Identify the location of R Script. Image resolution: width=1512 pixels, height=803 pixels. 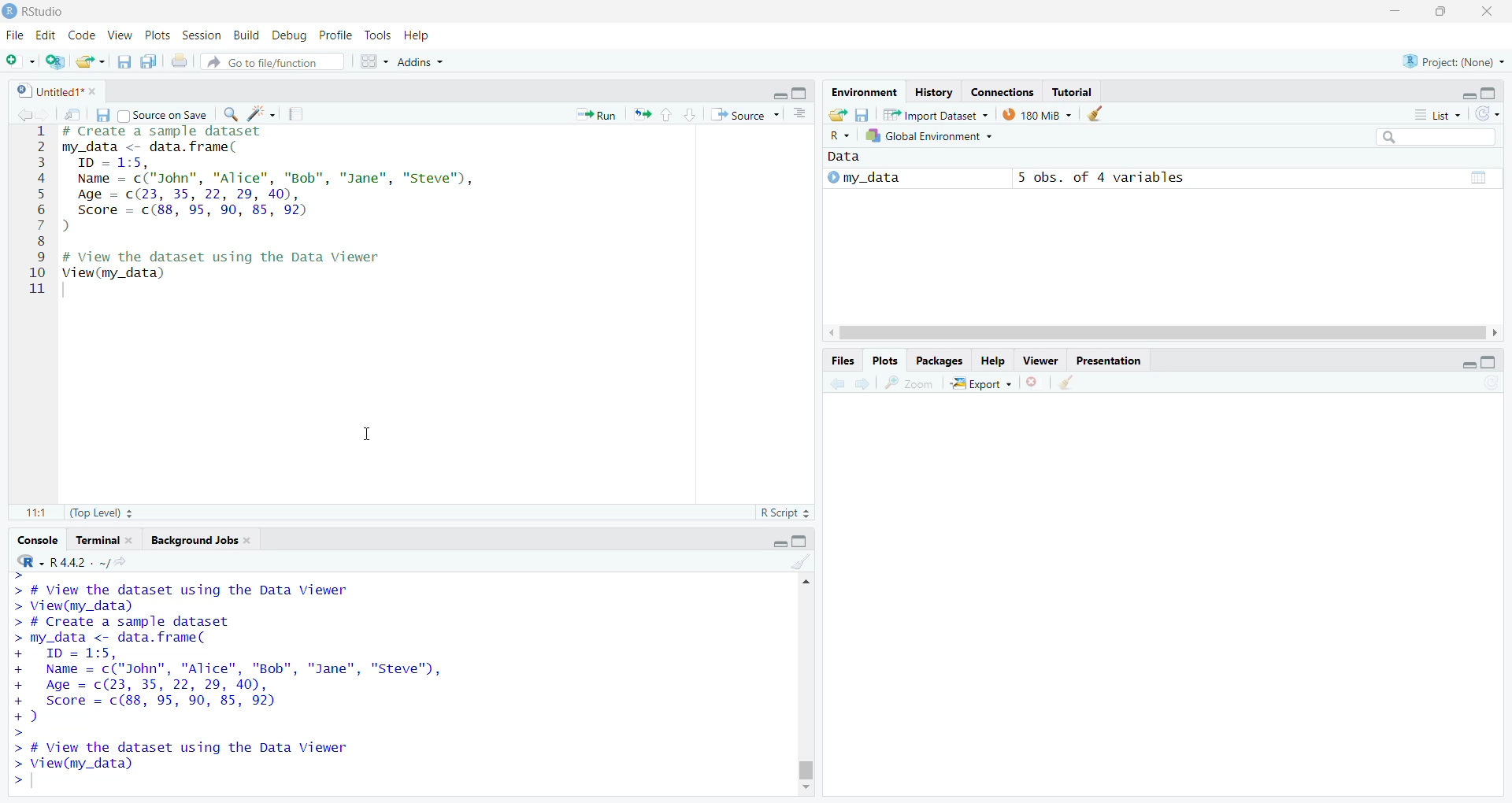
(784, 512).